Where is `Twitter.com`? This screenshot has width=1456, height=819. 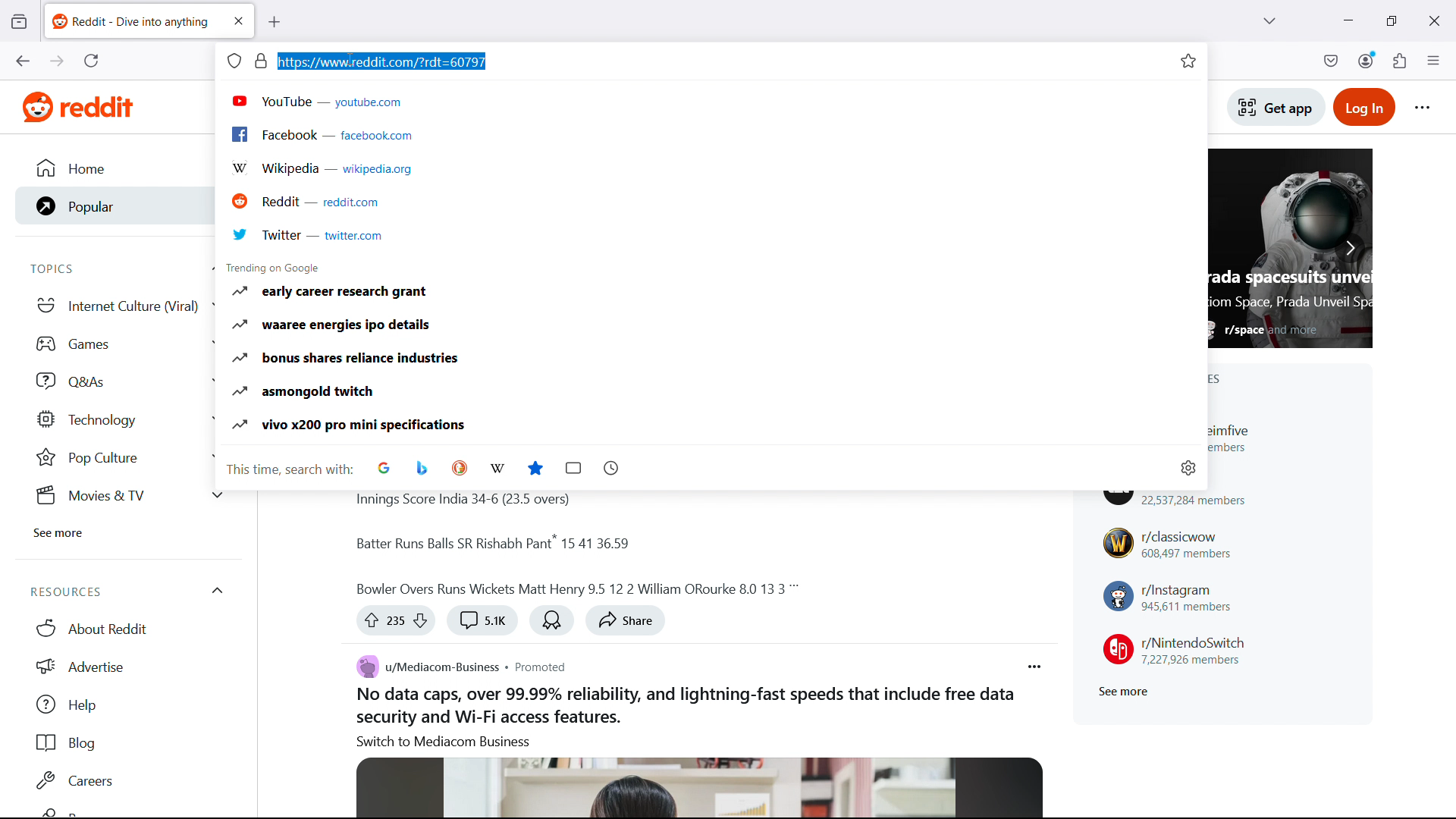
Twitter.com is located at coordinates (713, 236).